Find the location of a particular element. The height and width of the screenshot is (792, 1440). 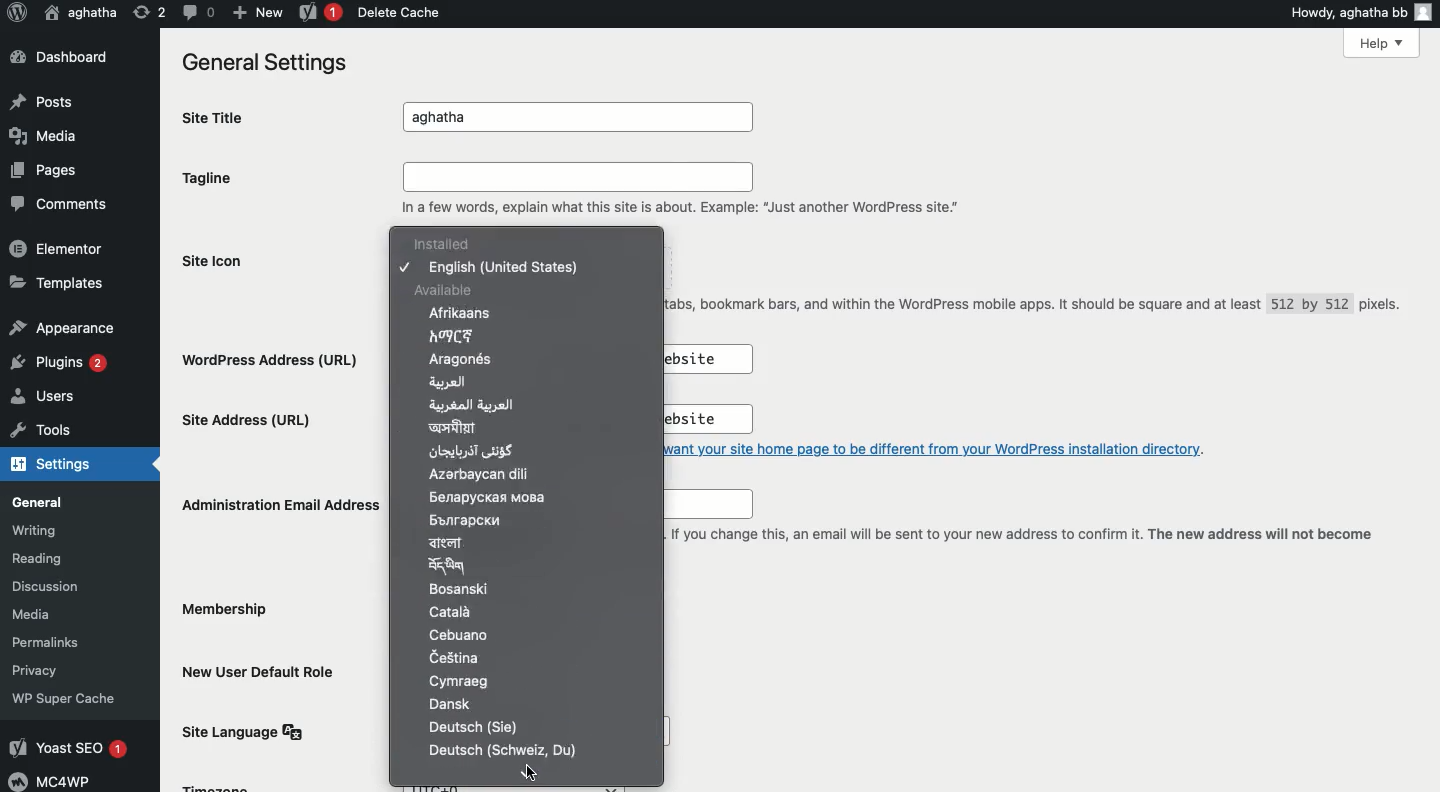

Wordpress address url is located at coordinates (277, 359).